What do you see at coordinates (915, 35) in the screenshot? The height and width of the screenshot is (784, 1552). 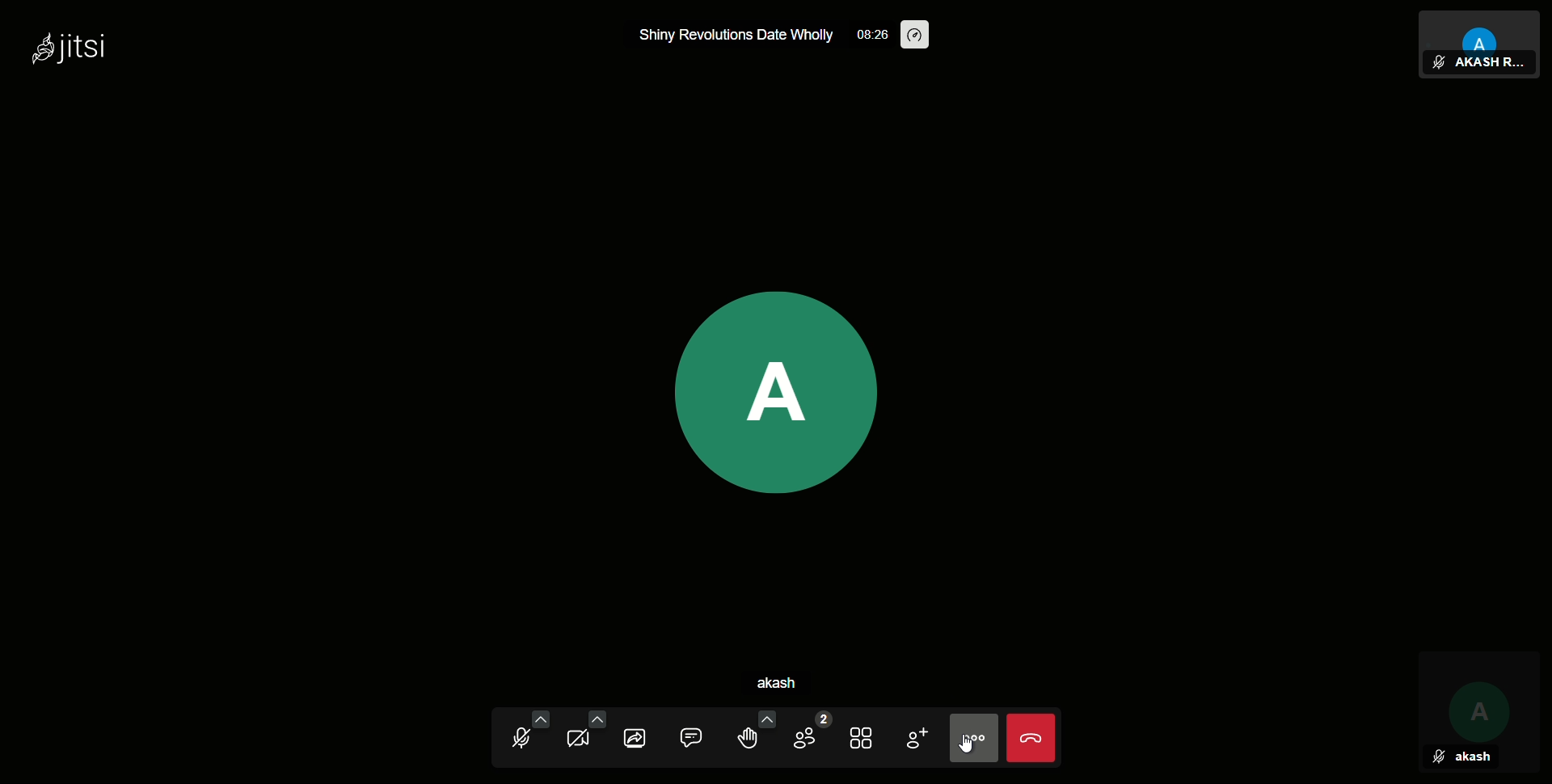 I see `performance setting` at bounding box center [915, 35].